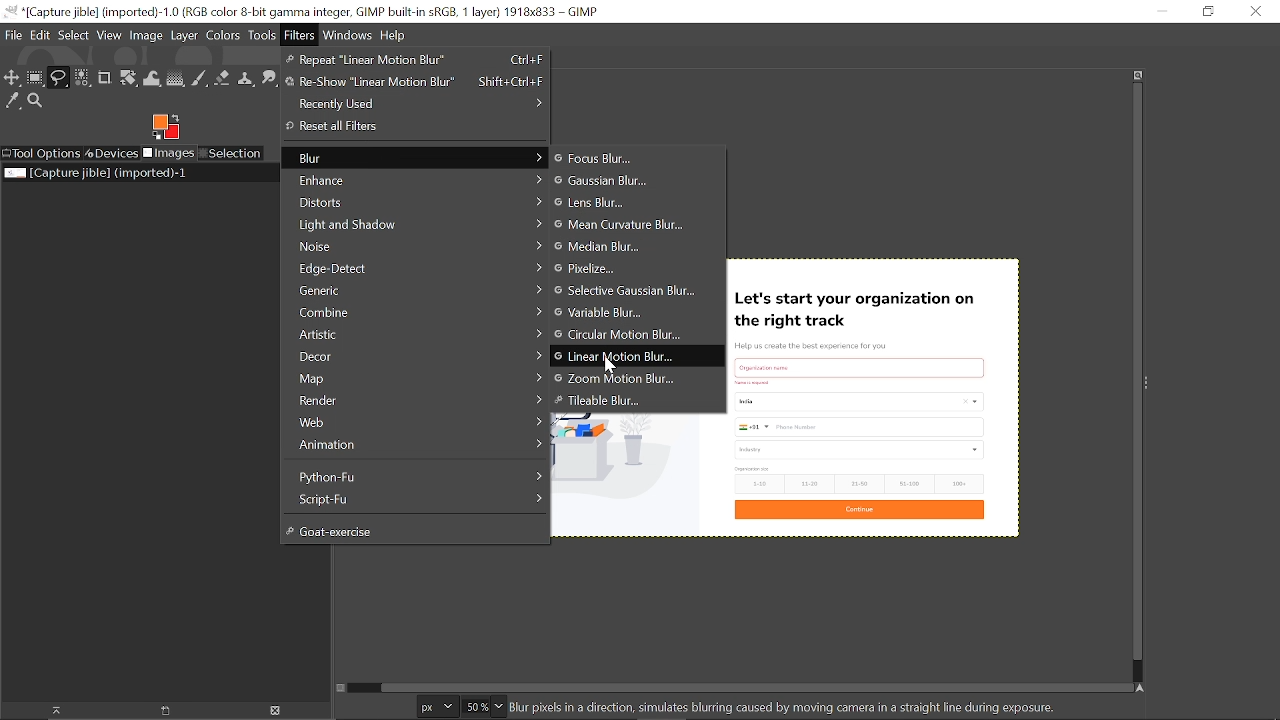  Describe the element at coordinates (616, 313) in the screenshot. I see `Variable blur` at that location.